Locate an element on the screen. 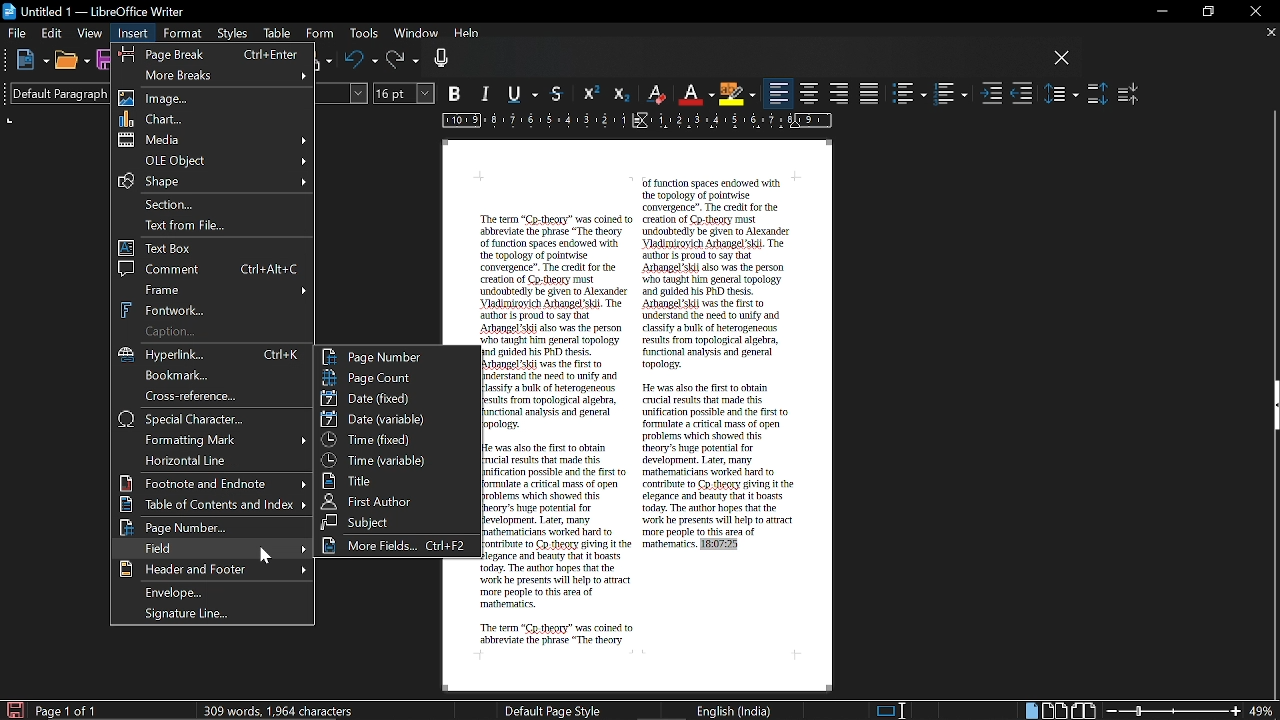  Page count is located at coordinates (397, 377).